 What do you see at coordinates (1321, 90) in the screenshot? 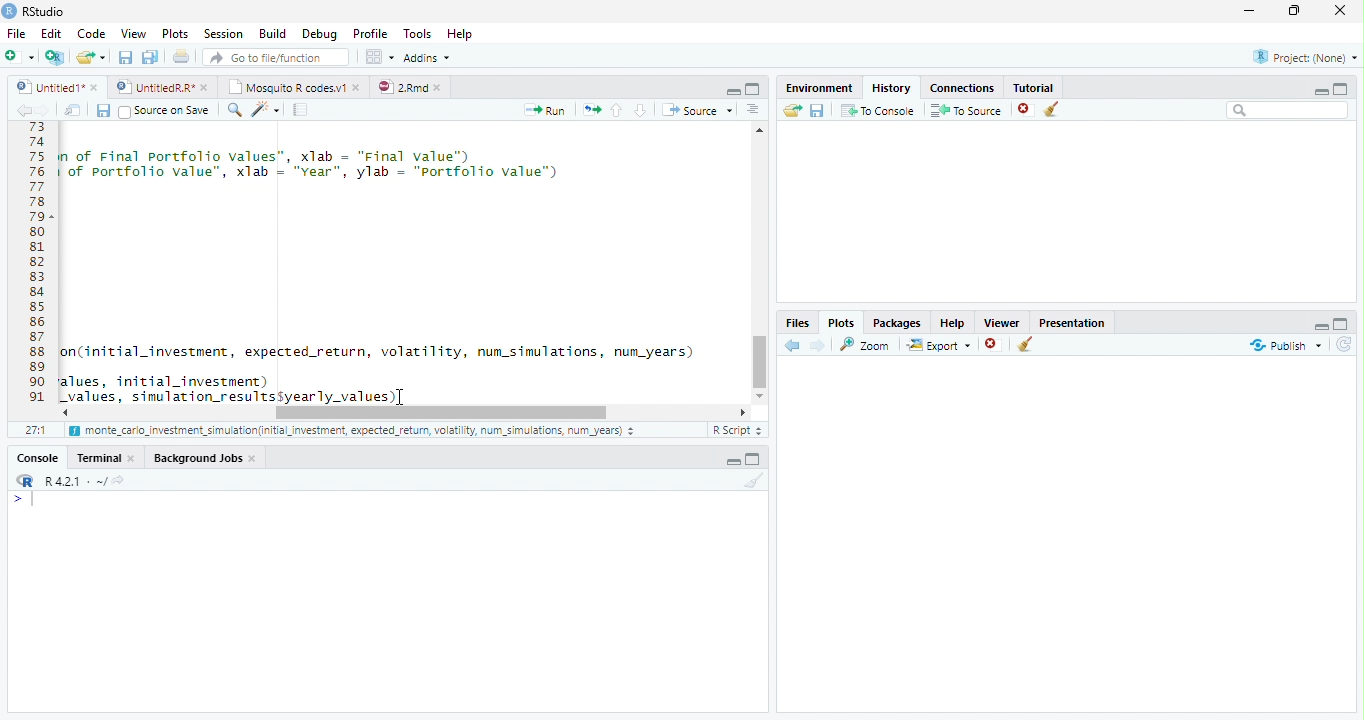
I see `Hide` at bounding box center [1321, 90].